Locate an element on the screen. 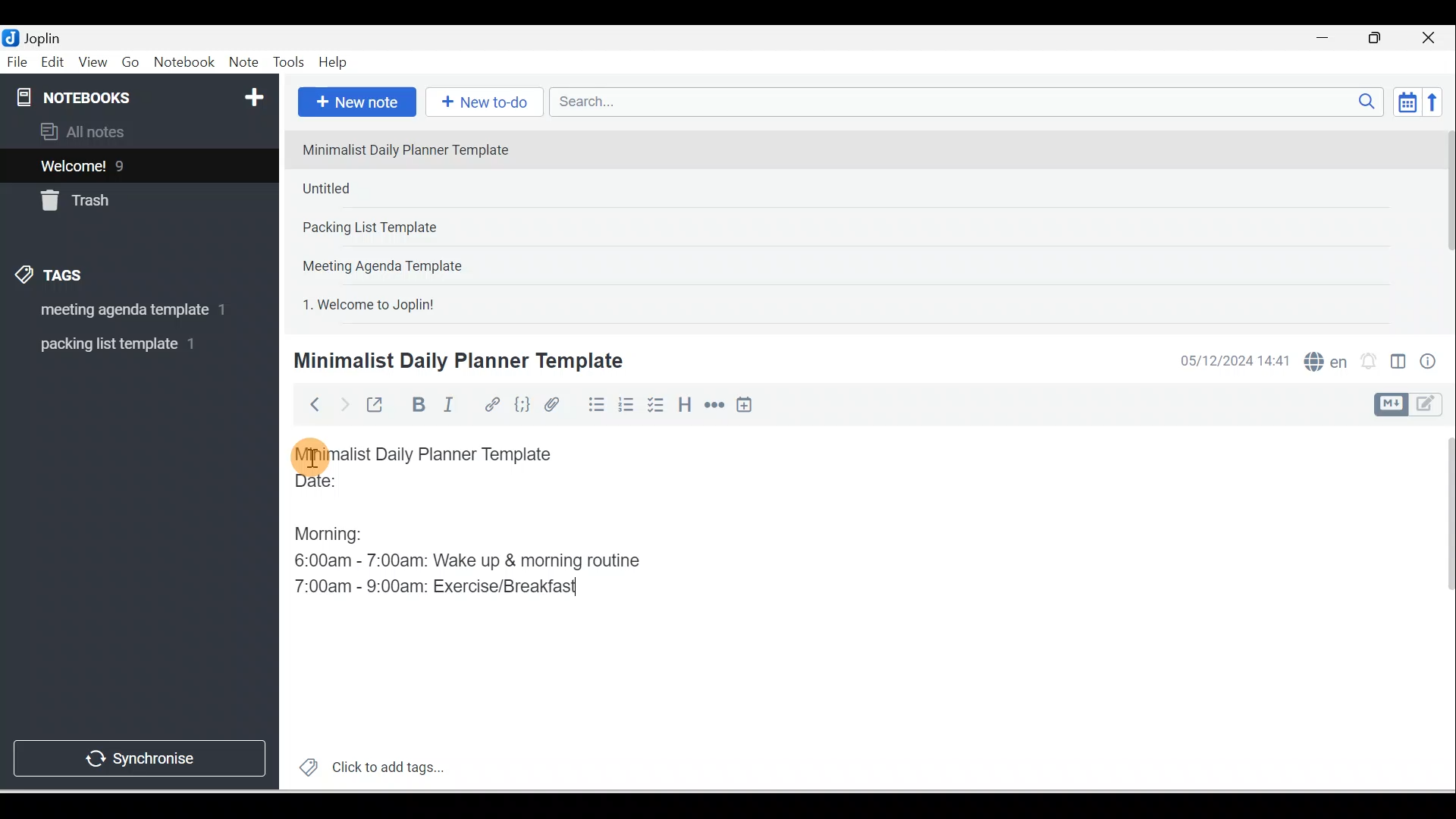 This screenshot has width=1456, height=819. Edit is located at coordinates (54, 63).